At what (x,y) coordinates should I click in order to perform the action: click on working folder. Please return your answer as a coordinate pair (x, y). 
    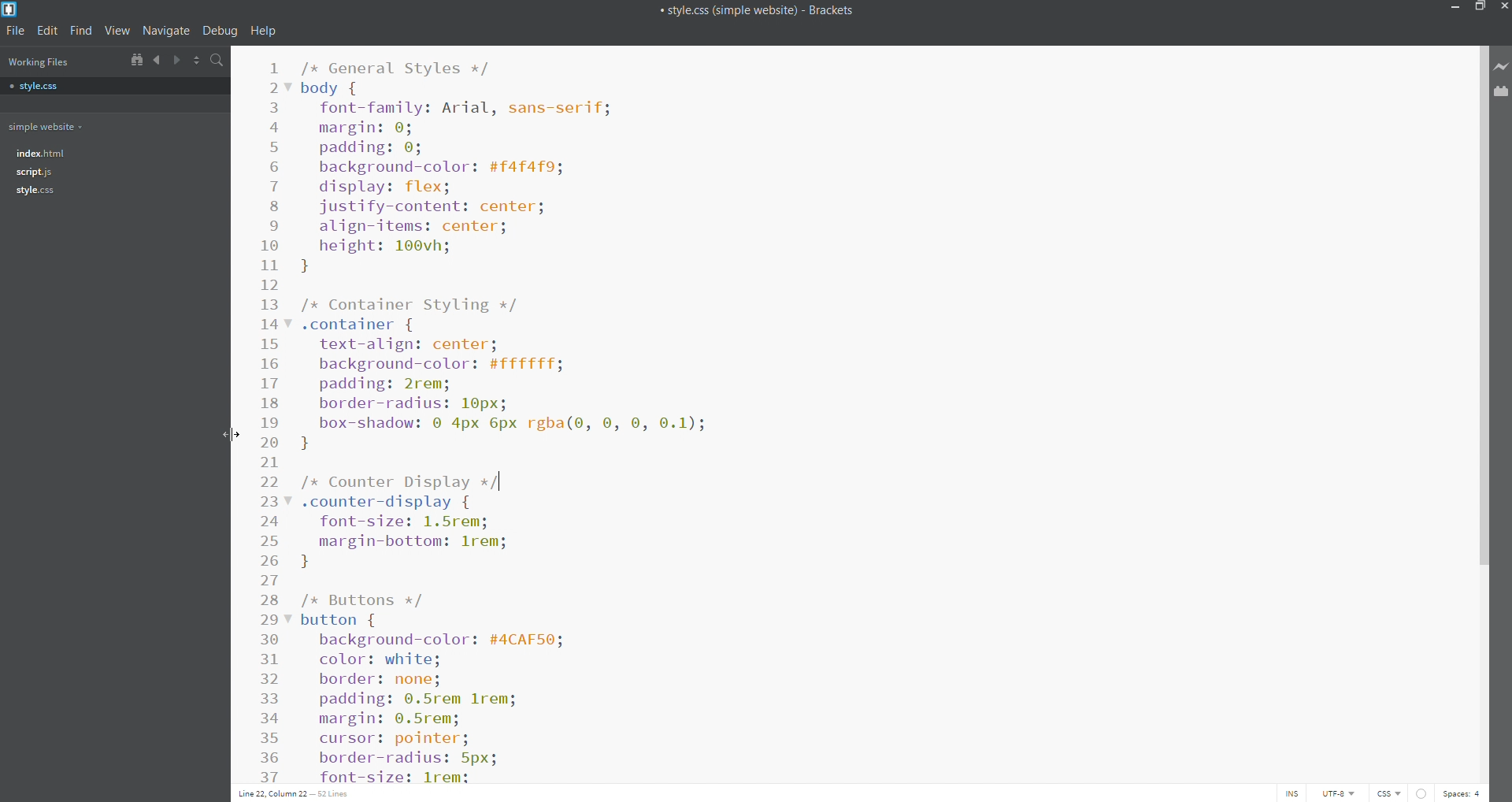
    Looking at the image, I should click on (115, 125).